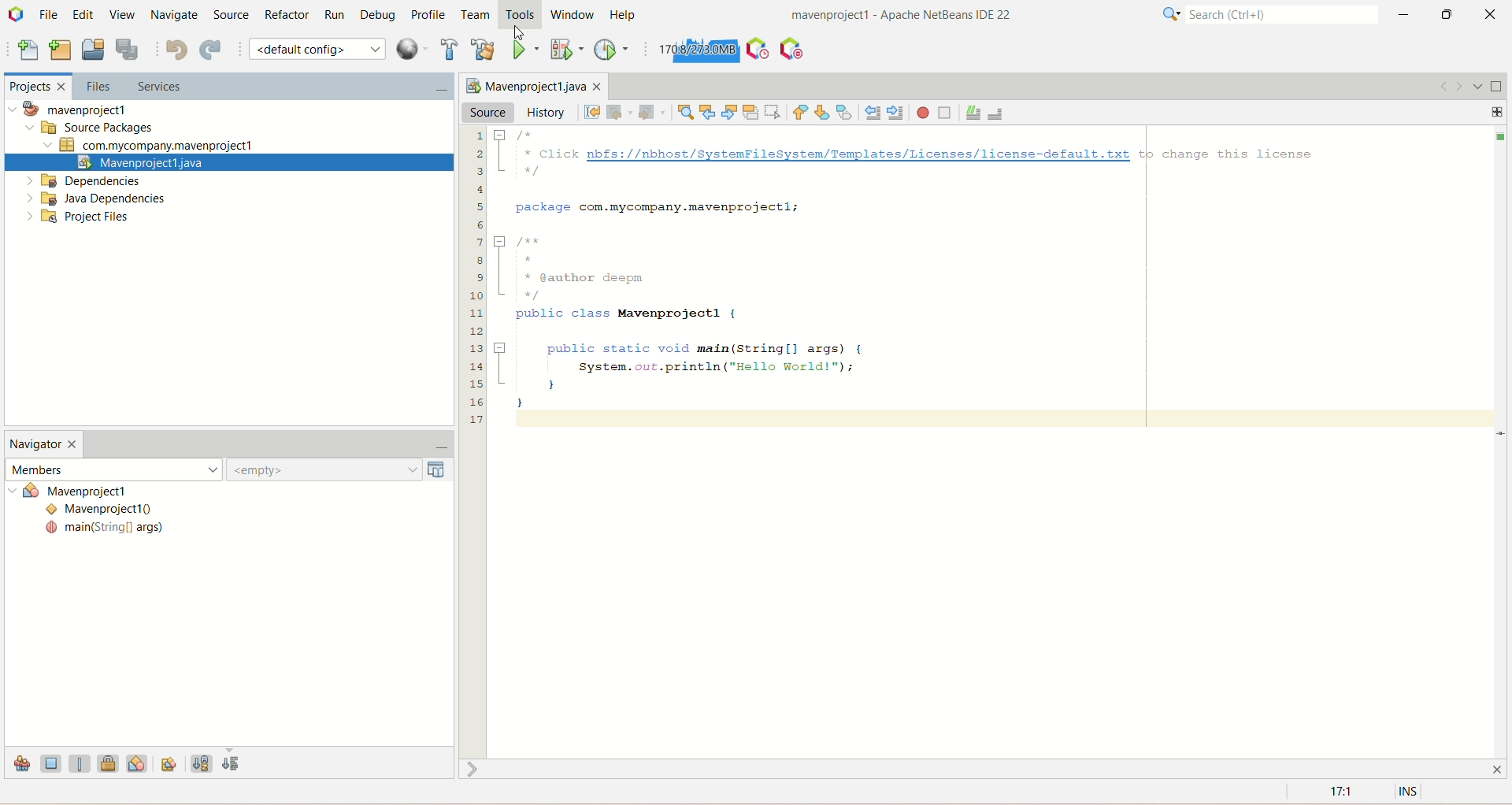 Image resolution: width=1512 pixels, height=805 pixels. I want to click on file, so click(51, 13).